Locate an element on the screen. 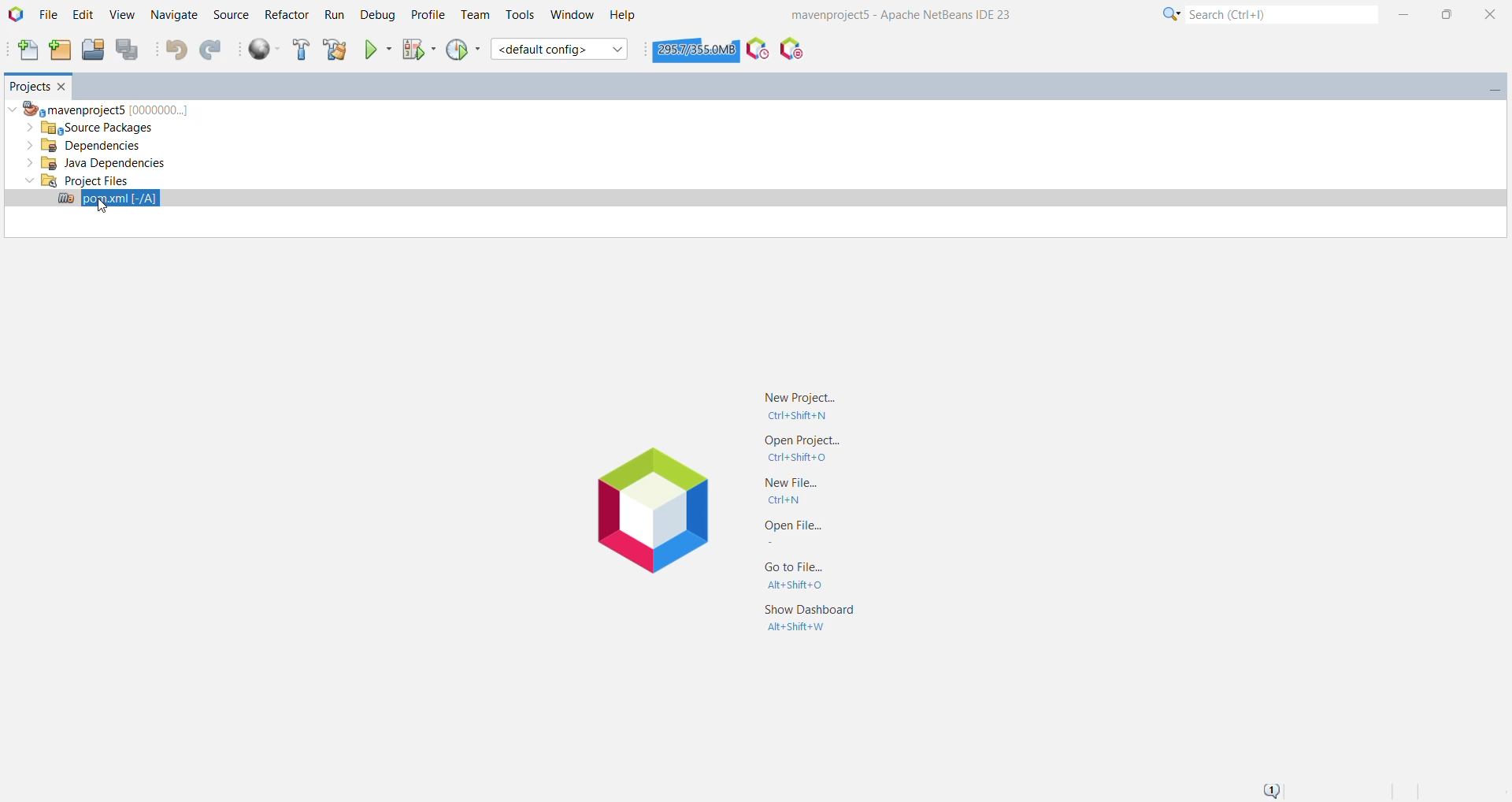 The width and height of the screenshot is (1512, 802). open project... is located at coordinates (804, 448).